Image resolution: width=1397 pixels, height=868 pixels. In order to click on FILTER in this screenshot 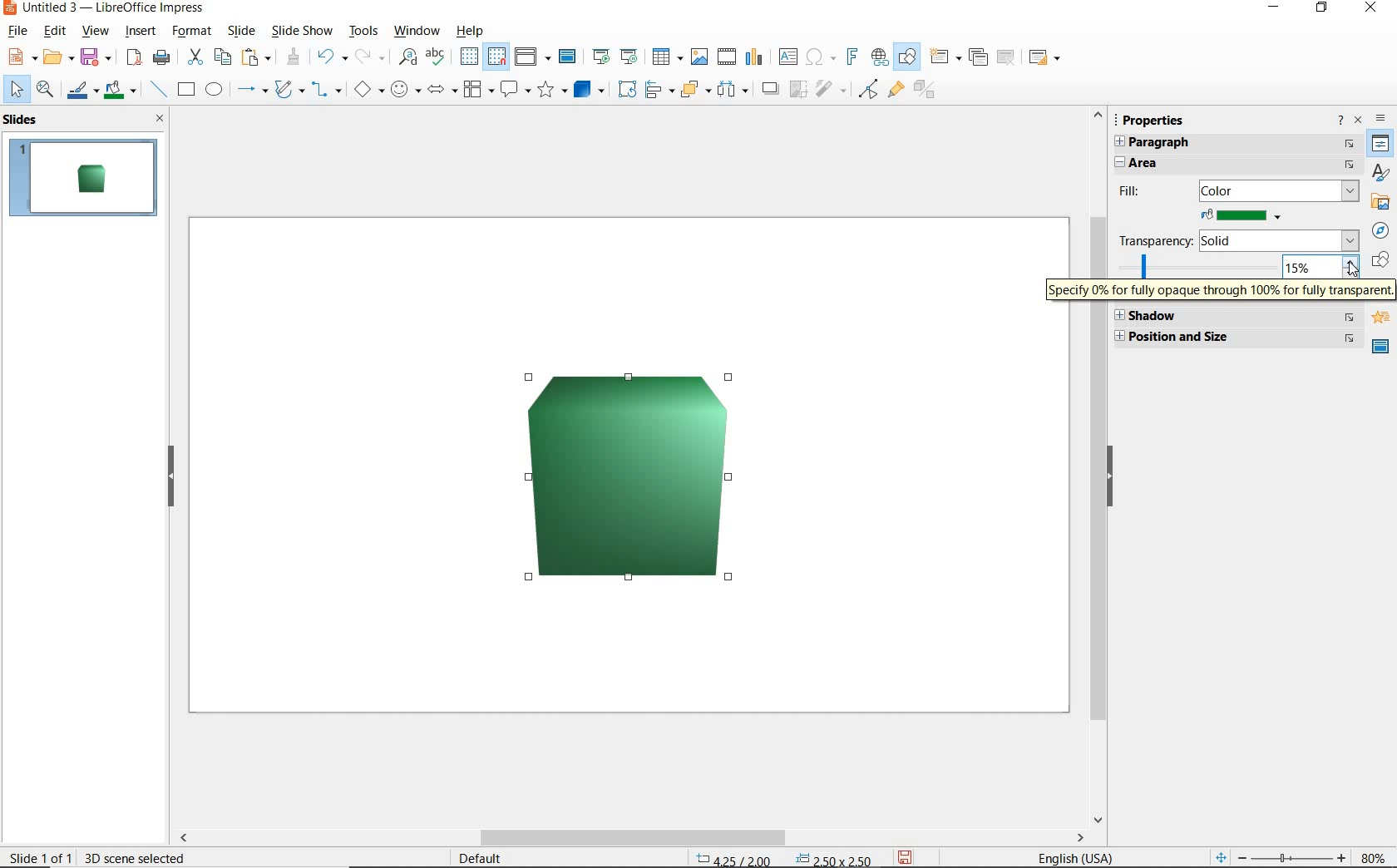, I will do `click(831, 91)`.